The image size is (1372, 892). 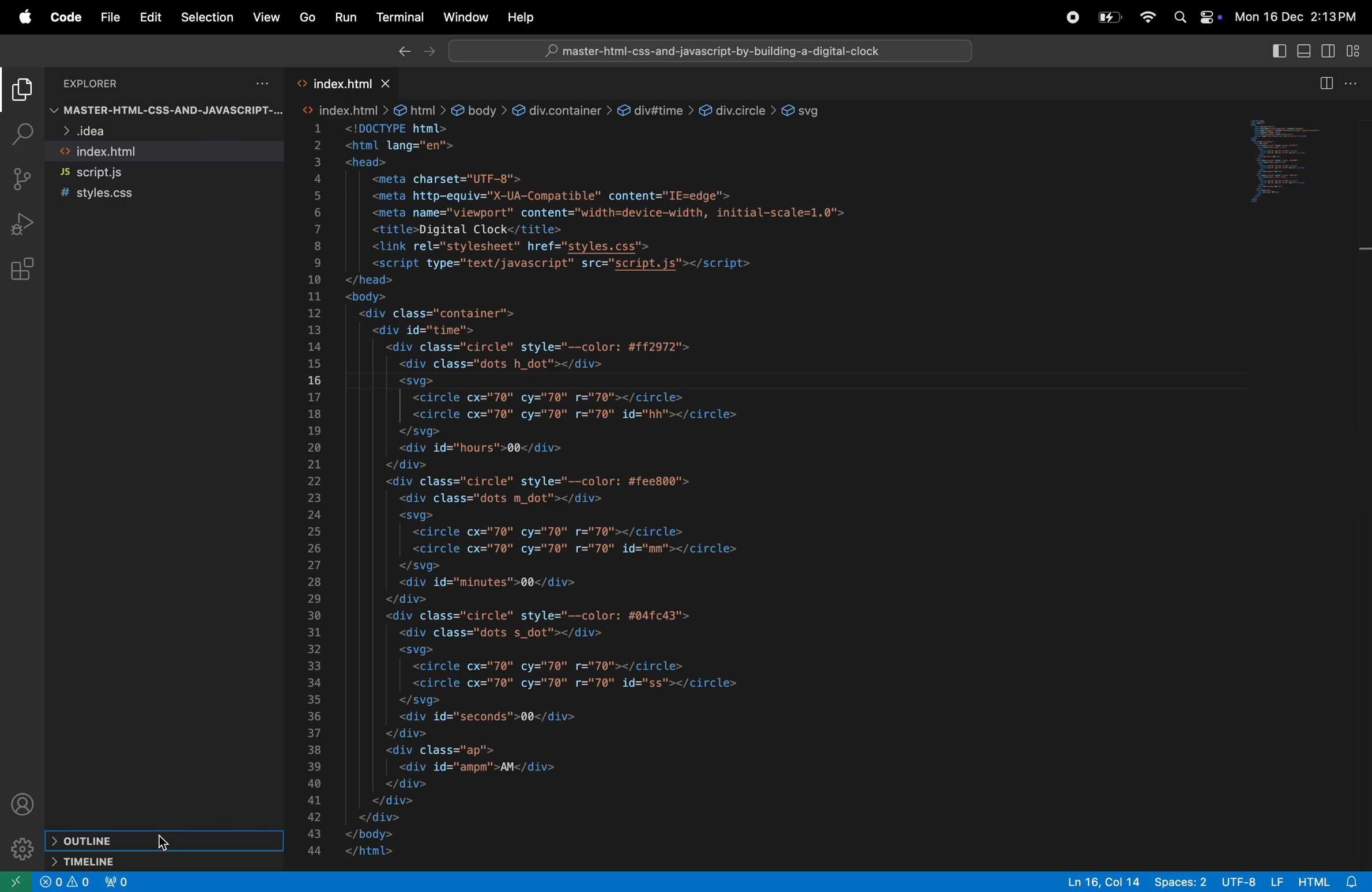 I want to click on utf 8, so click(x=1255, y=882).